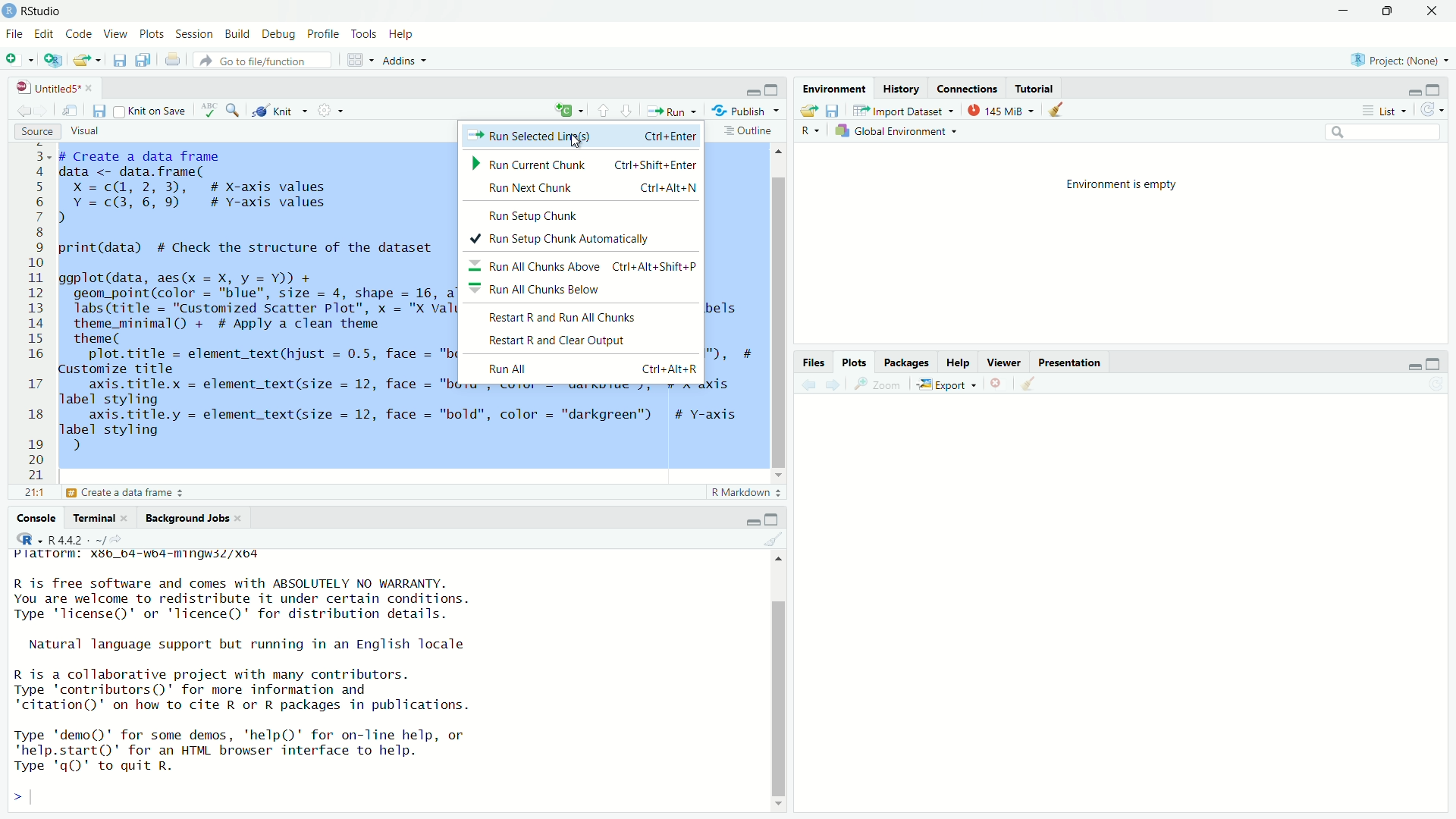  Describe the element at coordinates (78, 35) in the screenshot. I see `Code` at that location.